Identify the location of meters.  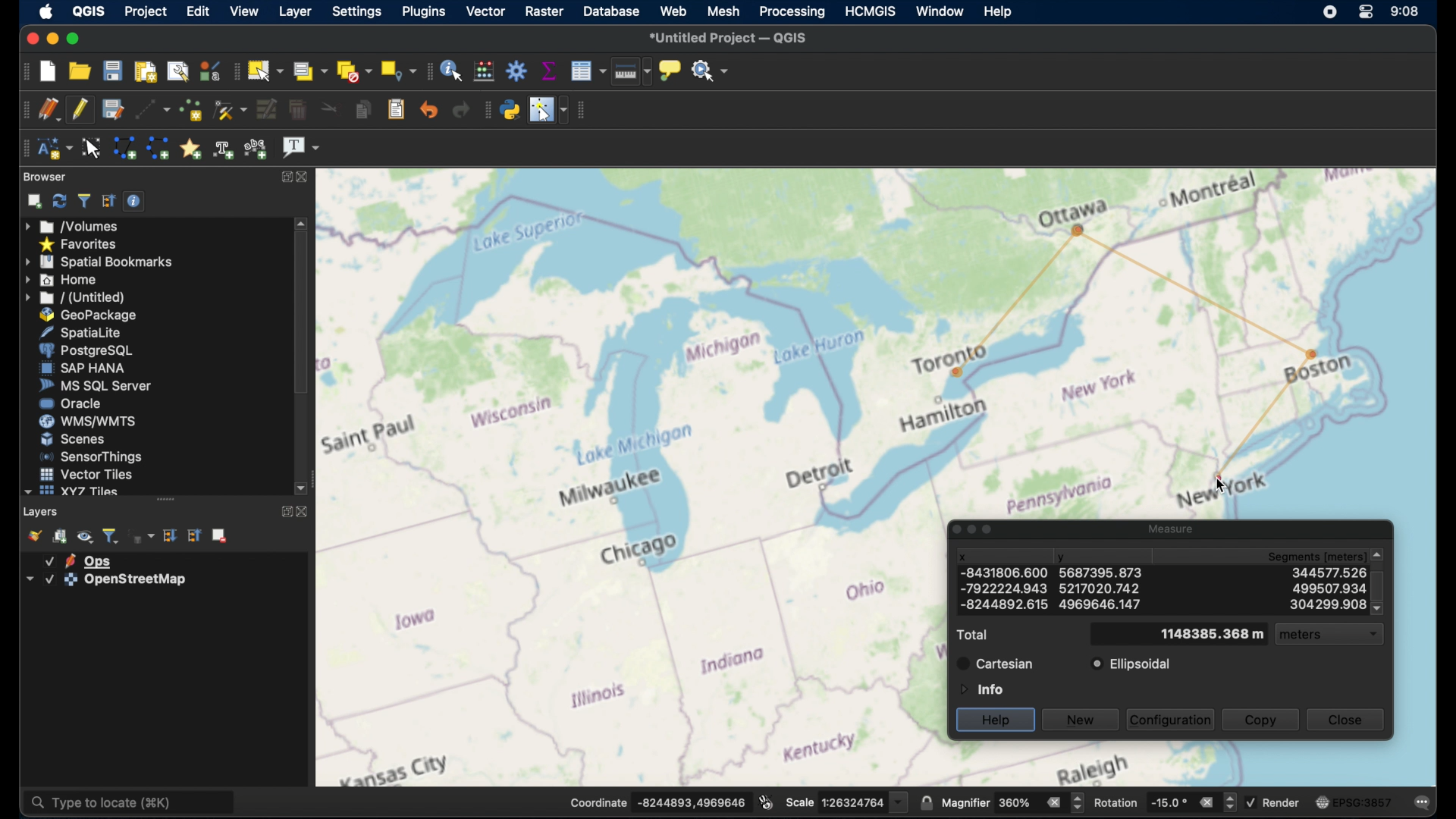
(1336, 636).